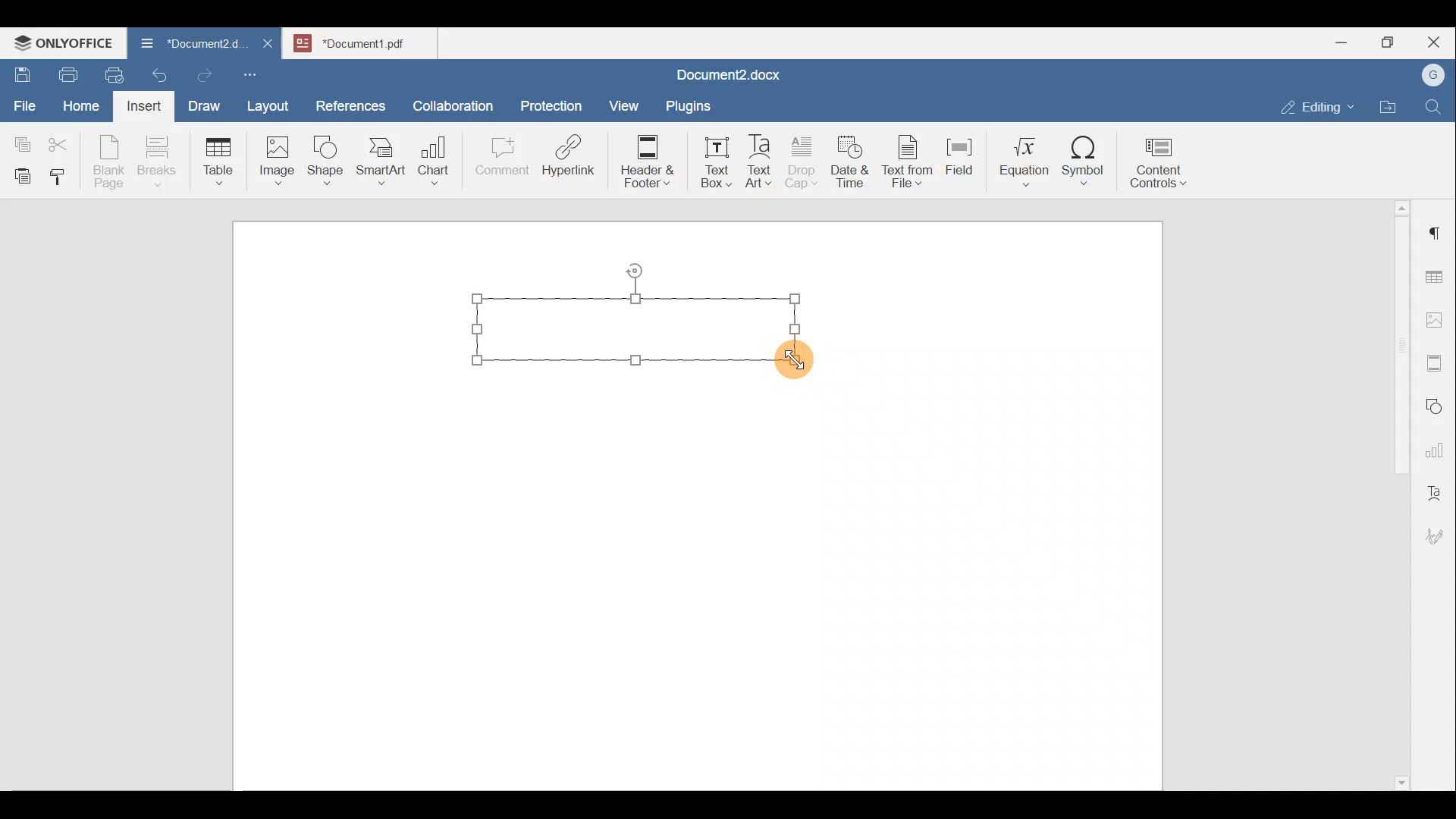 The image size is (1456, 819). I want to click on Redo, so click(204, 76).